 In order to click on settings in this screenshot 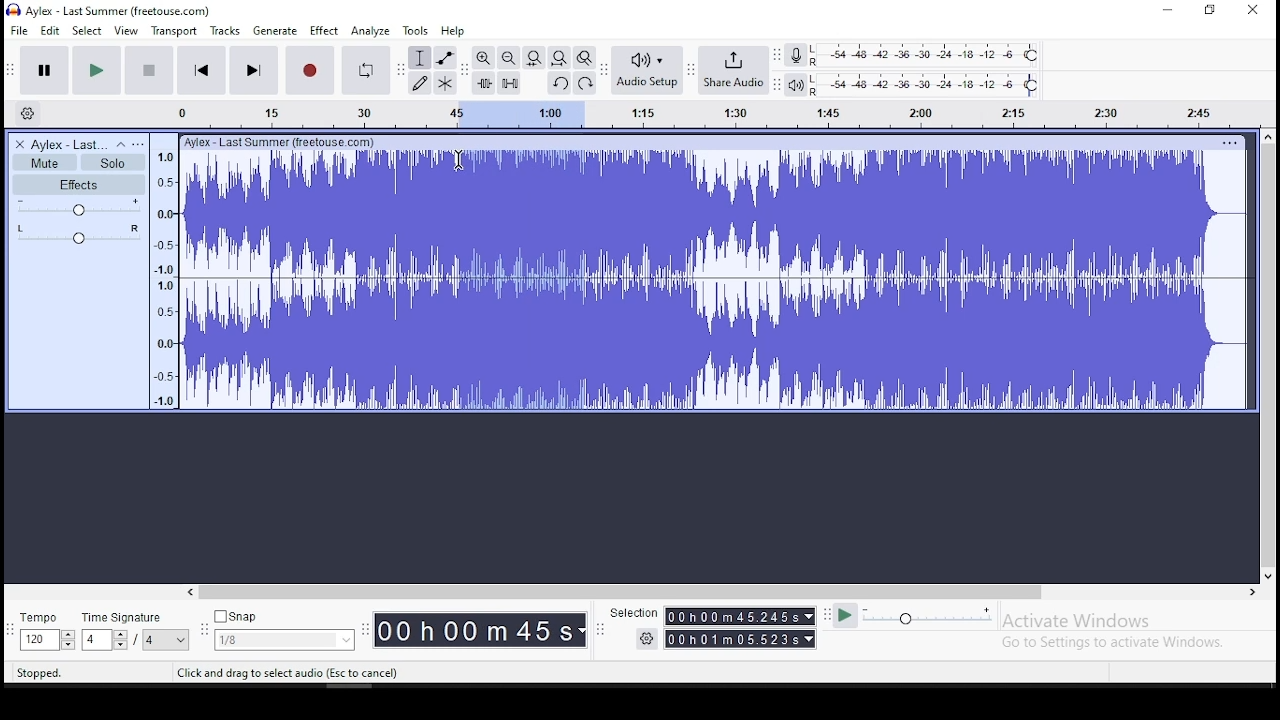, I will do `click(635, 639)`.